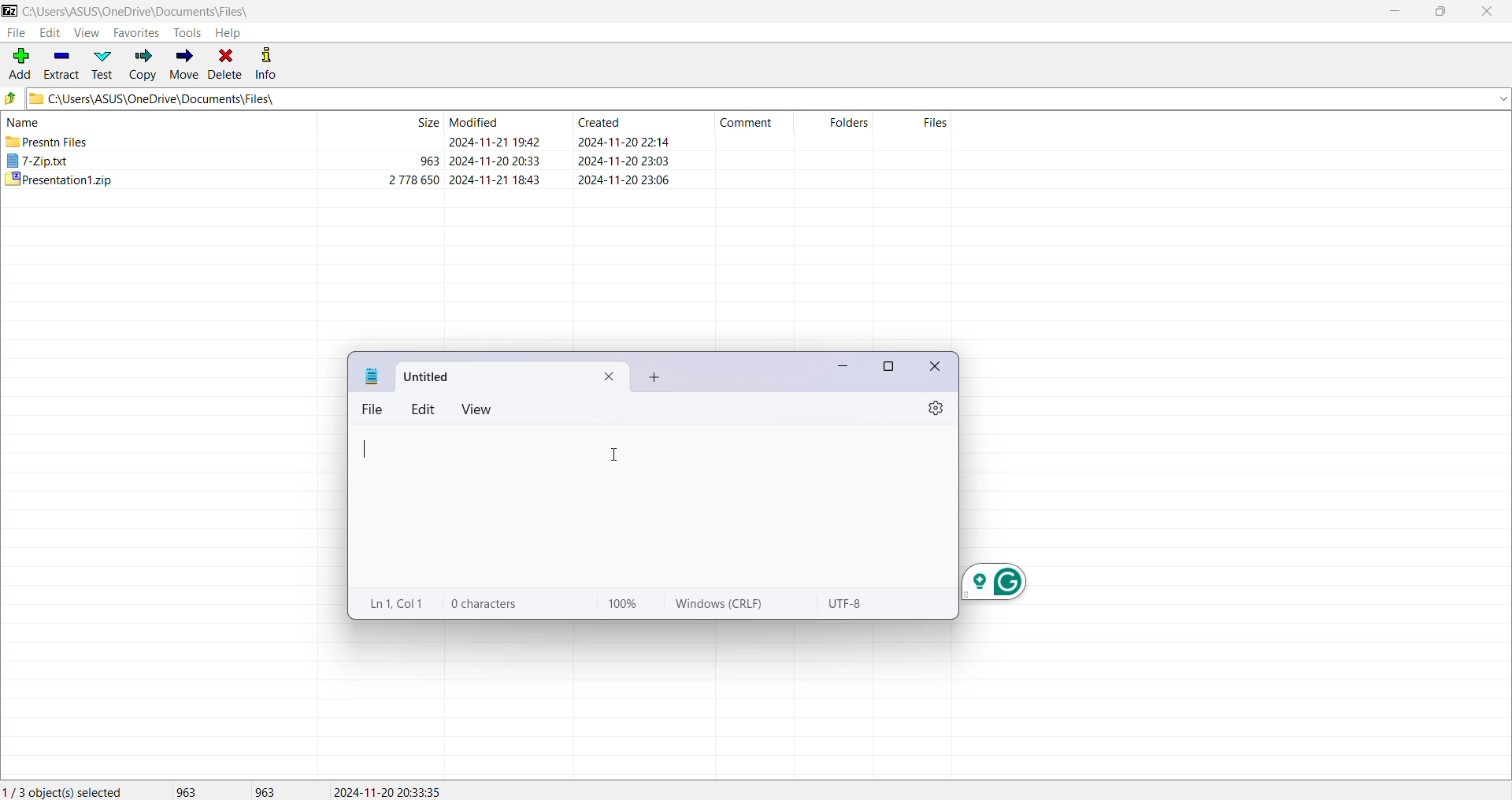  What do you see at coordinates (428, 122) in the screenshot?
I see `size` at bounding box center [428, 122].